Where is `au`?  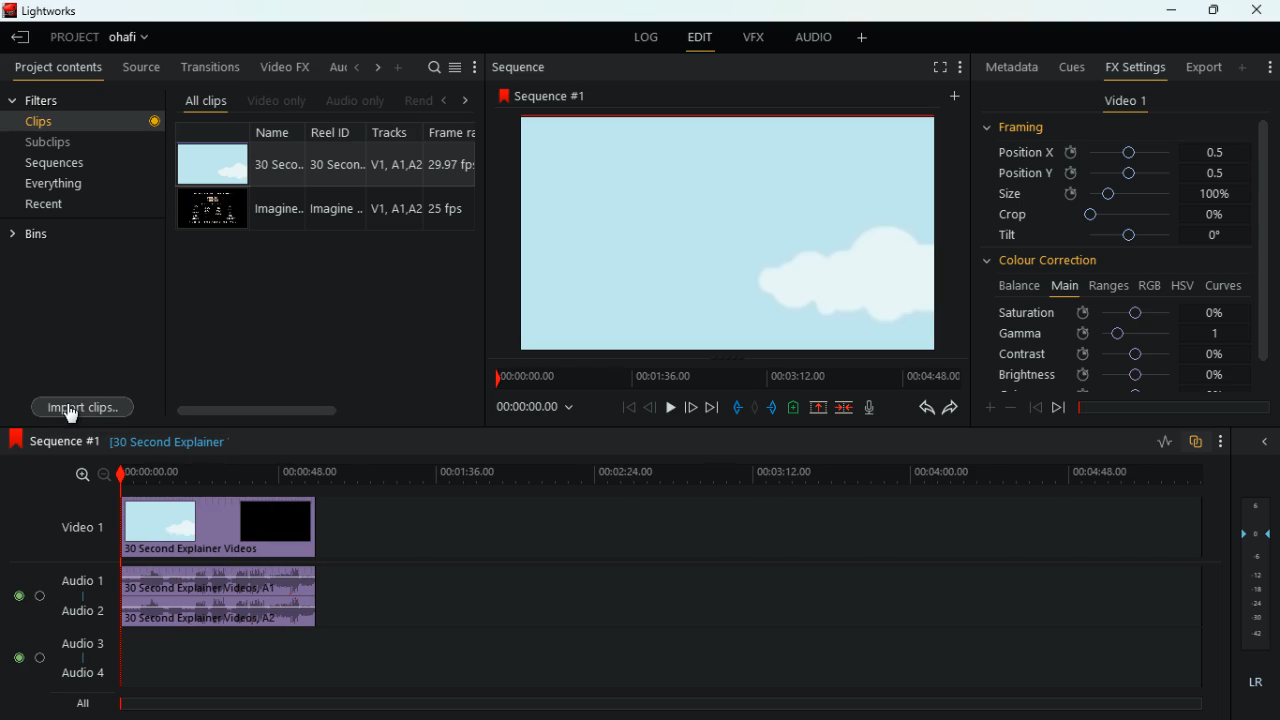 au is located at coordinates (331, 65).